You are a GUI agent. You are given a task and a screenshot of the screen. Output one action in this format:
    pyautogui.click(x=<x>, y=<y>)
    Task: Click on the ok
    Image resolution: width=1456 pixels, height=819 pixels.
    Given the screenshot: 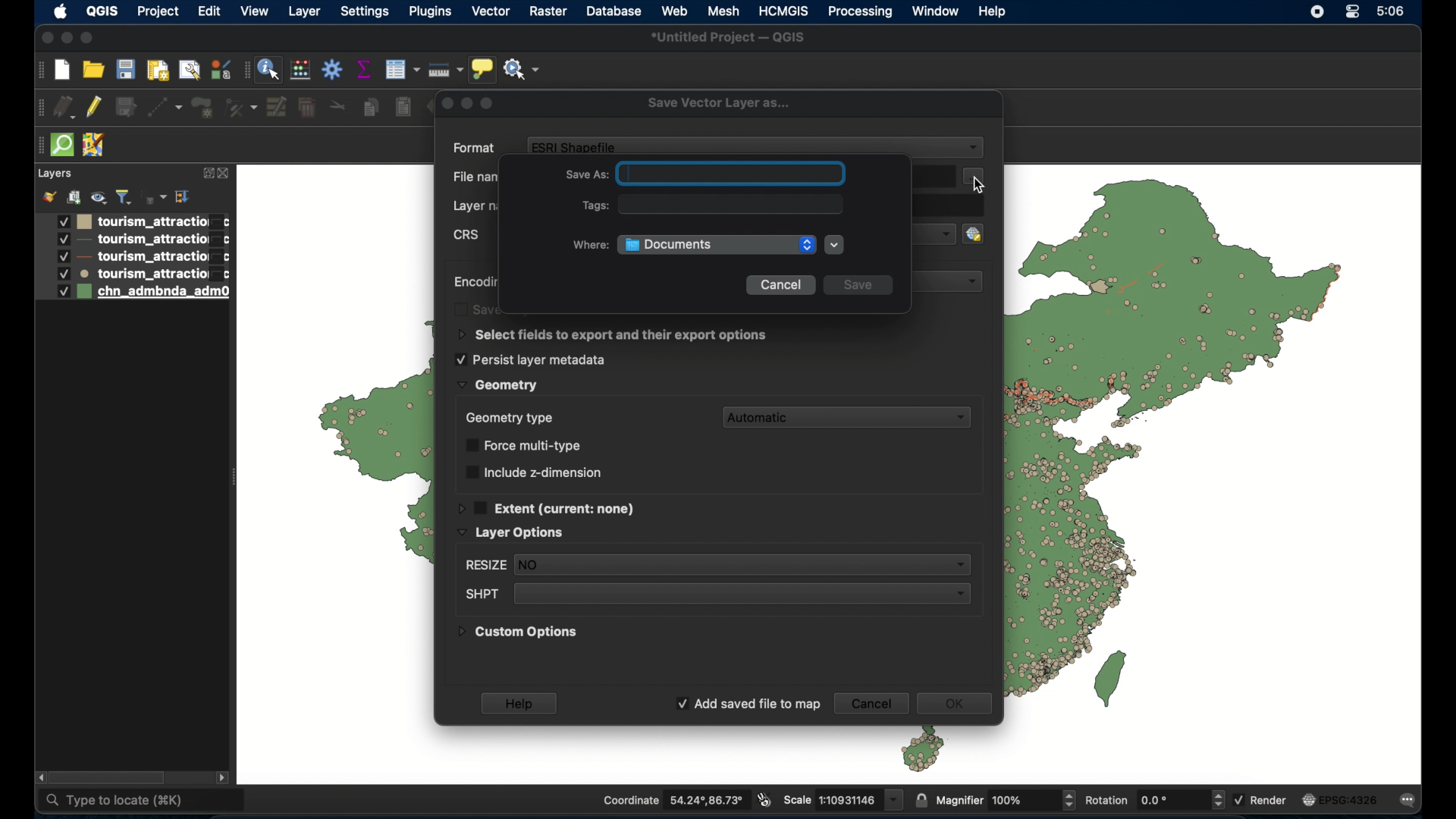 What is the action you would take?
    pyautogui.click(x=959, y=705)
    